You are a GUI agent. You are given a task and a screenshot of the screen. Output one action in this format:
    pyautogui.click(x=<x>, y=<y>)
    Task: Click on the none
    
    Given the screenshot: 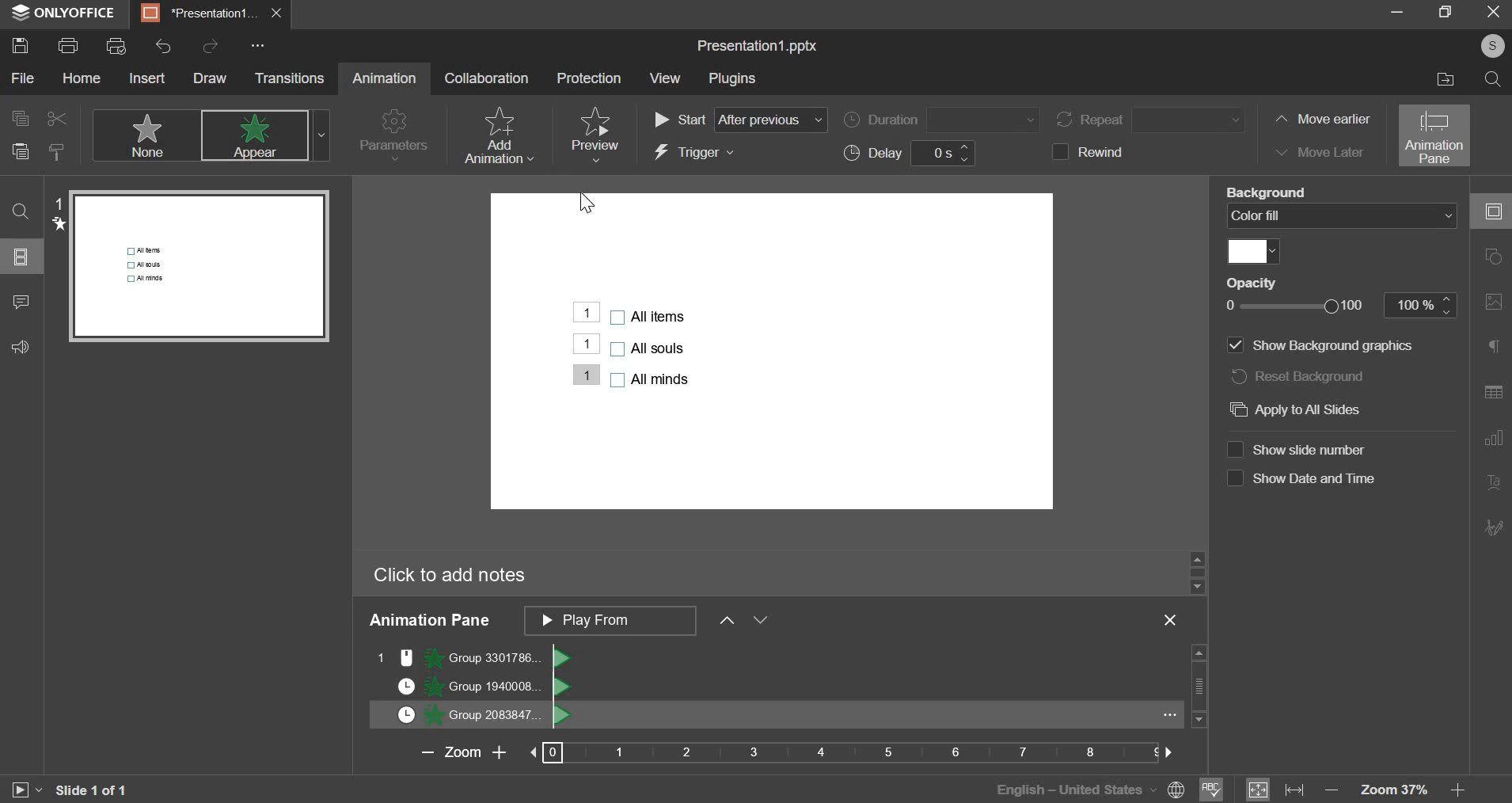 What is the action you would take?
    pyautogui.click(x=145, y=135)
    